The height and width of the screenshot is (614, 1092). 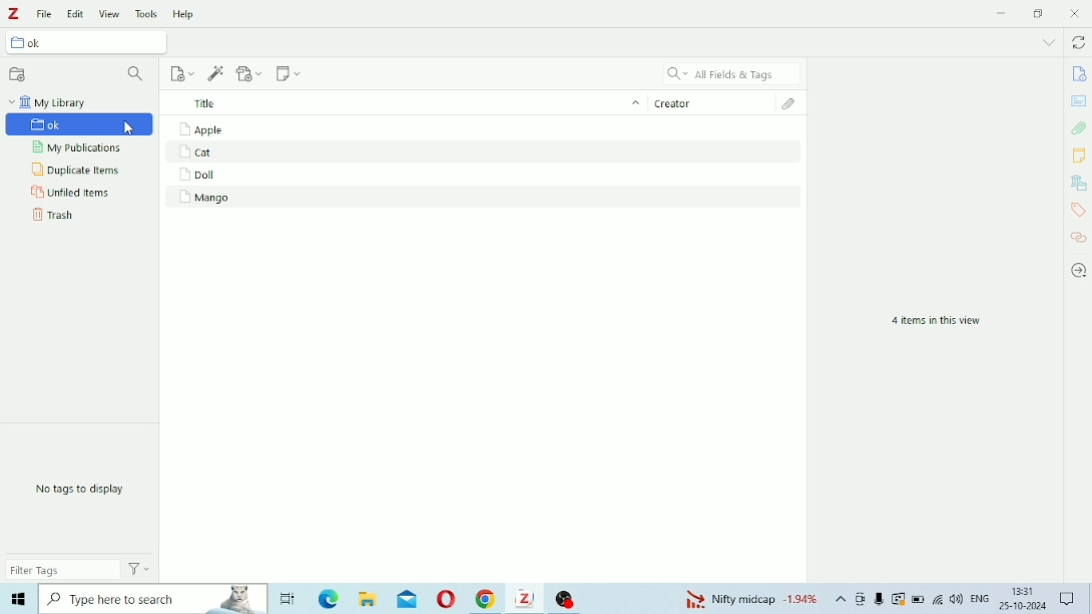 I want to click on Filter Collections, so click(x=138, y=75).